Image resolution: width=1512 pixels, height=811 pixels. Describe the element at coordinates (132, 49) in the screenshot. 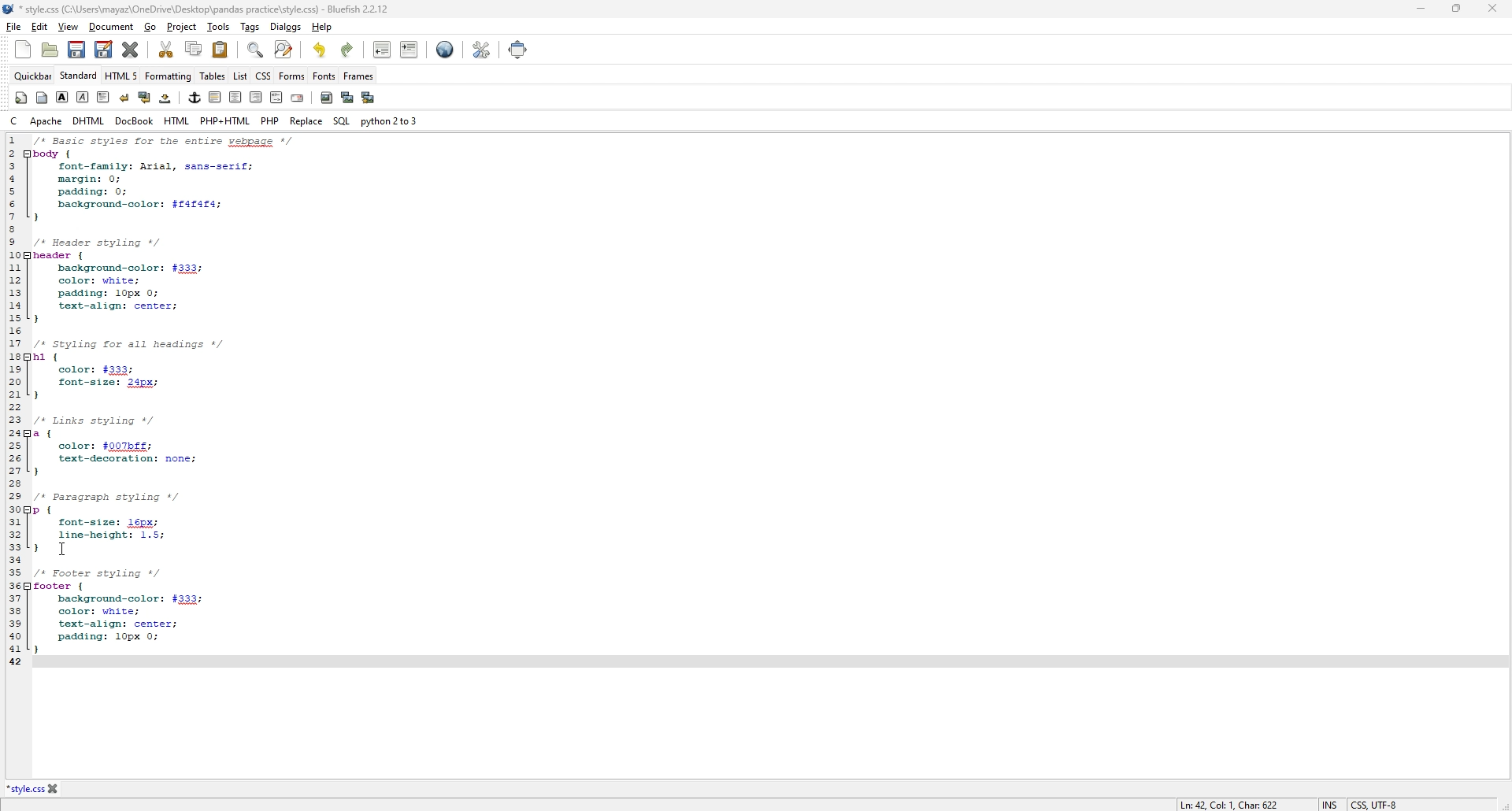

I see `close current file` at that location.